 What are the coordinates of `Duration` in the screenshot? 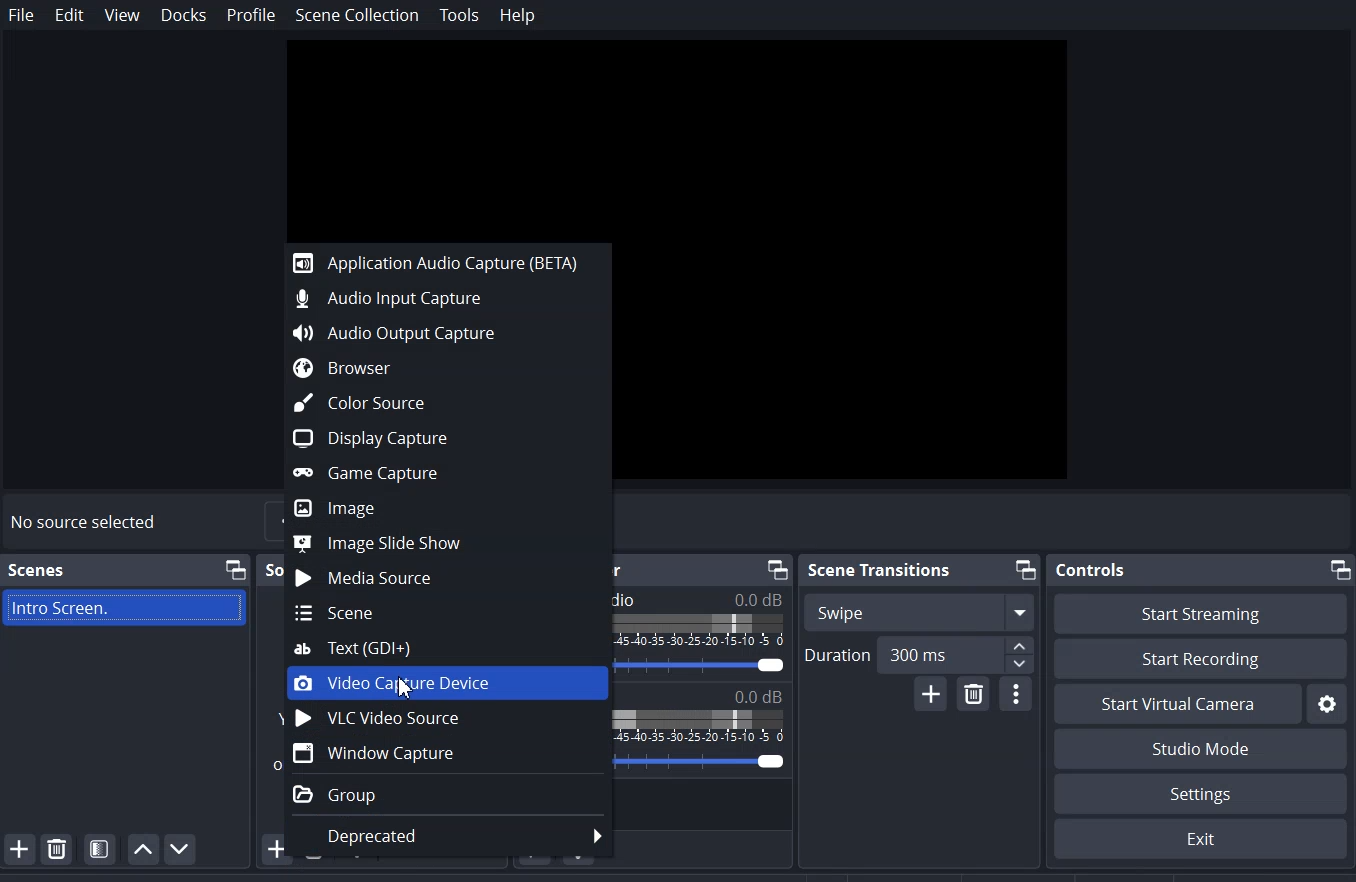 It's located at (919, 653).